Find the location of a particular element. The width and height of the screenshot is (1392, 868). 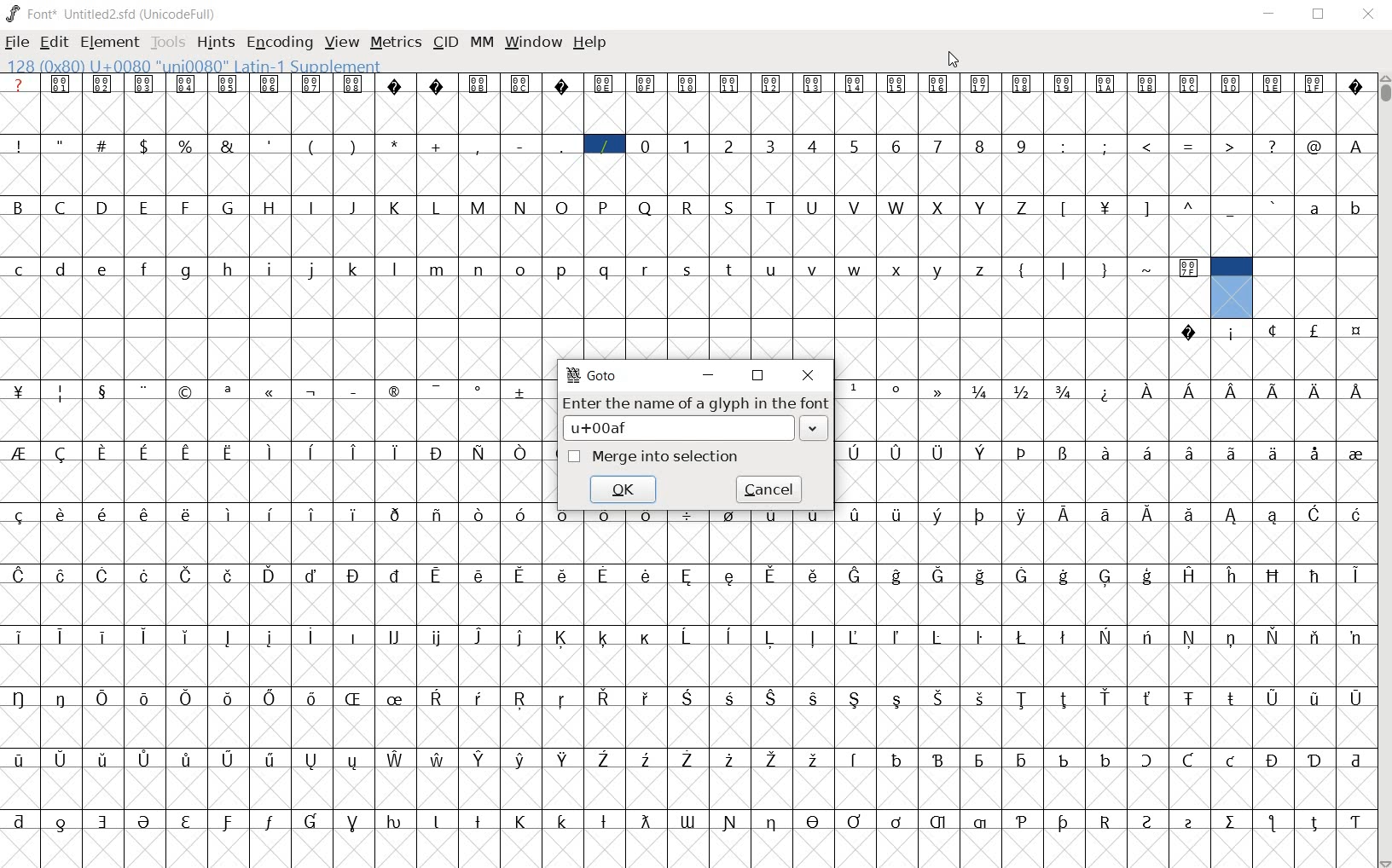

Symbol is located at coordinates (607, 575).